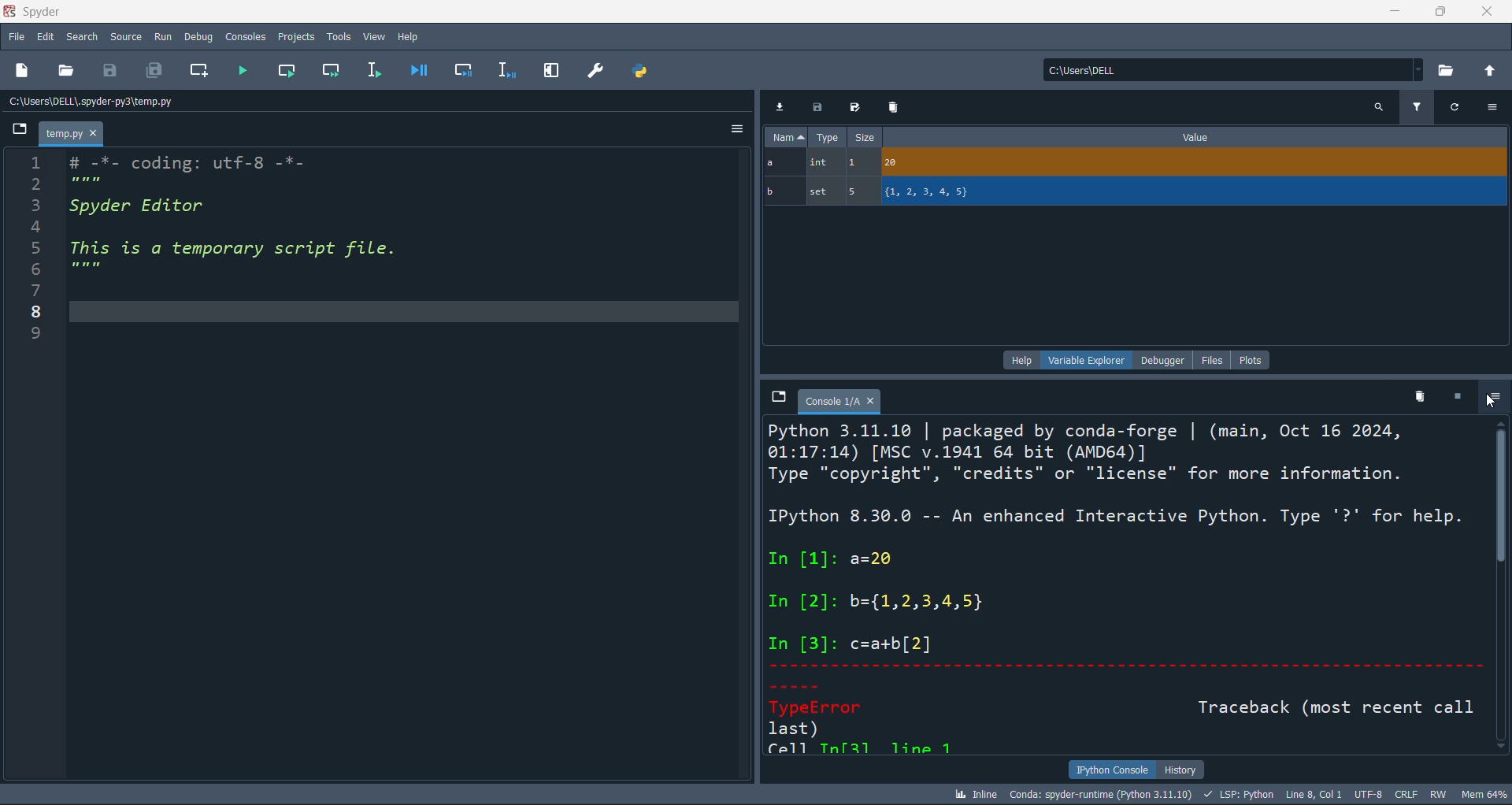 The image size is (1512, 805). What do you see at coordinates (1437, 794) in the screenshot?
I see `rw` at bounding box center [1437, 794].